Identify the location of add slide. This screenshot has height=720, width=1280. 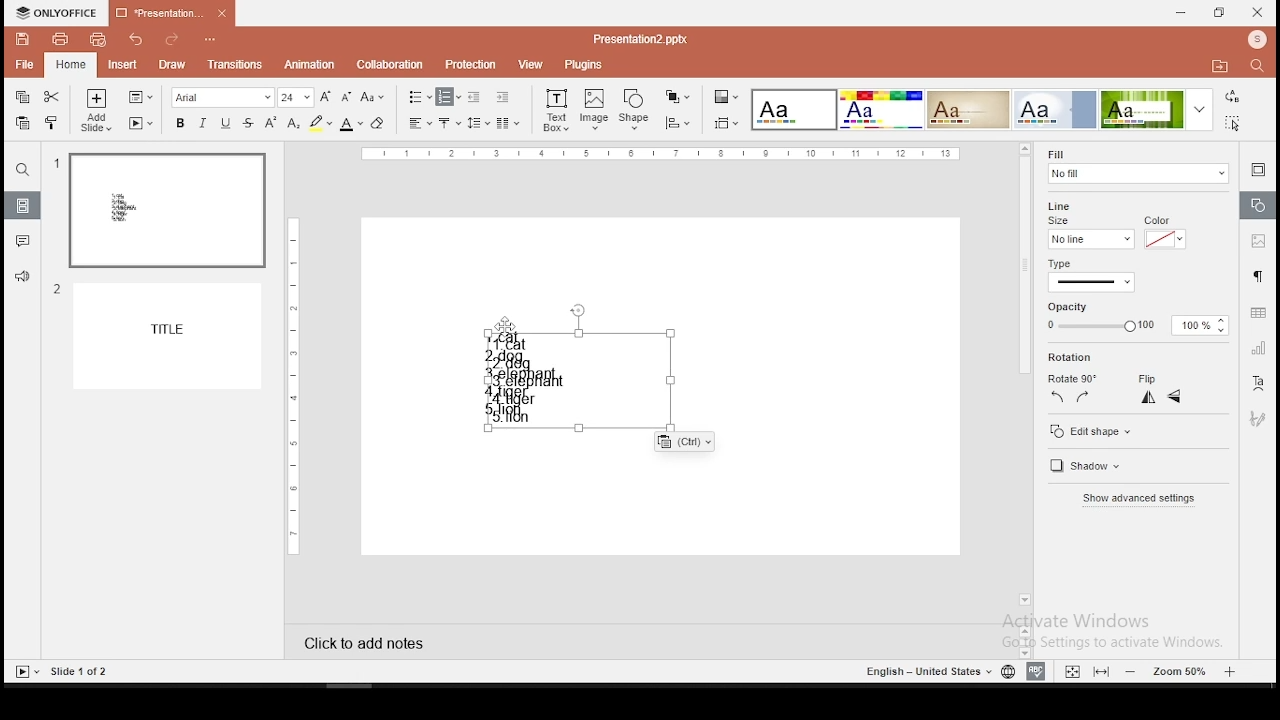
(97, 110).